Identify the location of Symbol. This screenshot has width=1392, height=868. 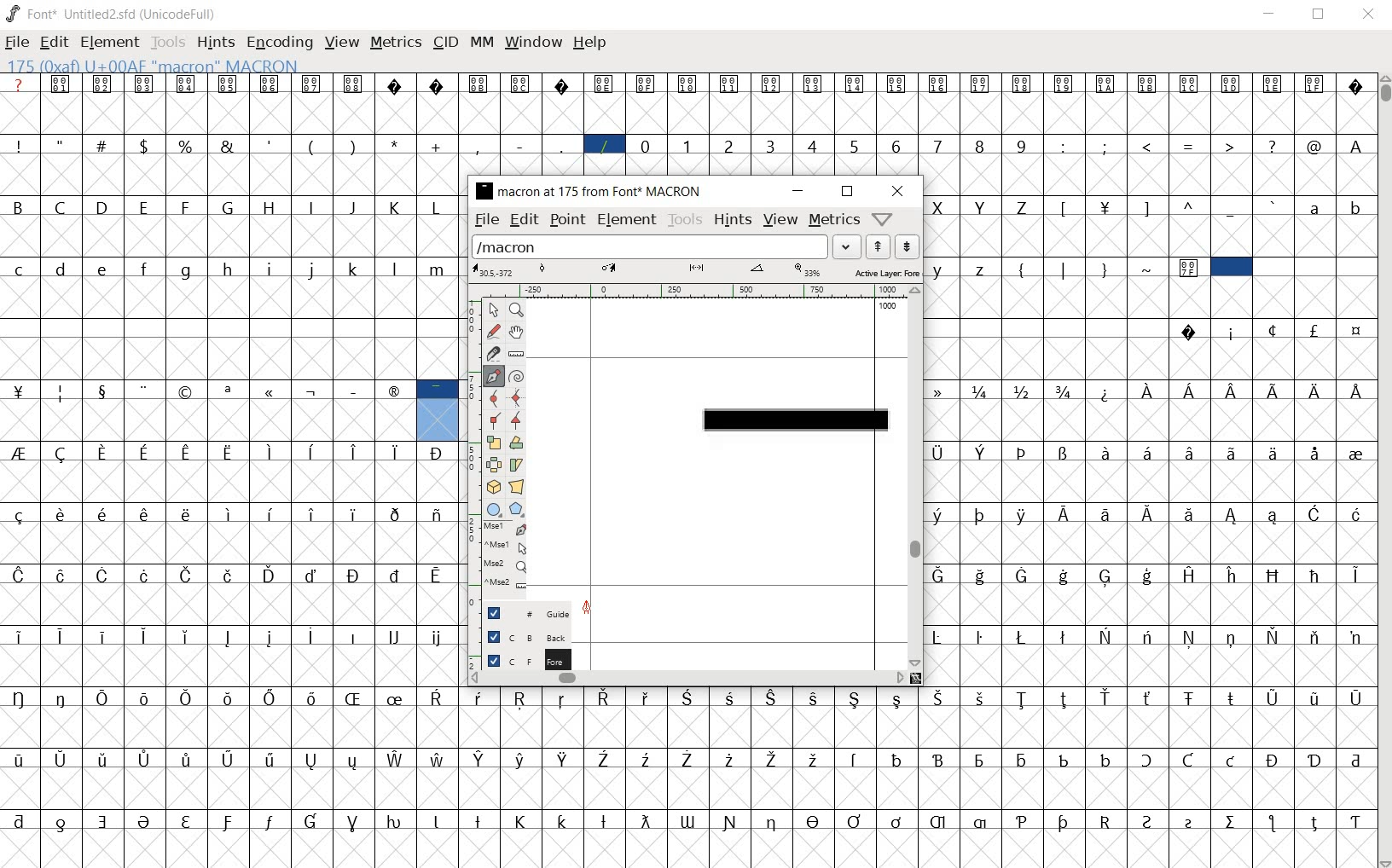
(20, 391).